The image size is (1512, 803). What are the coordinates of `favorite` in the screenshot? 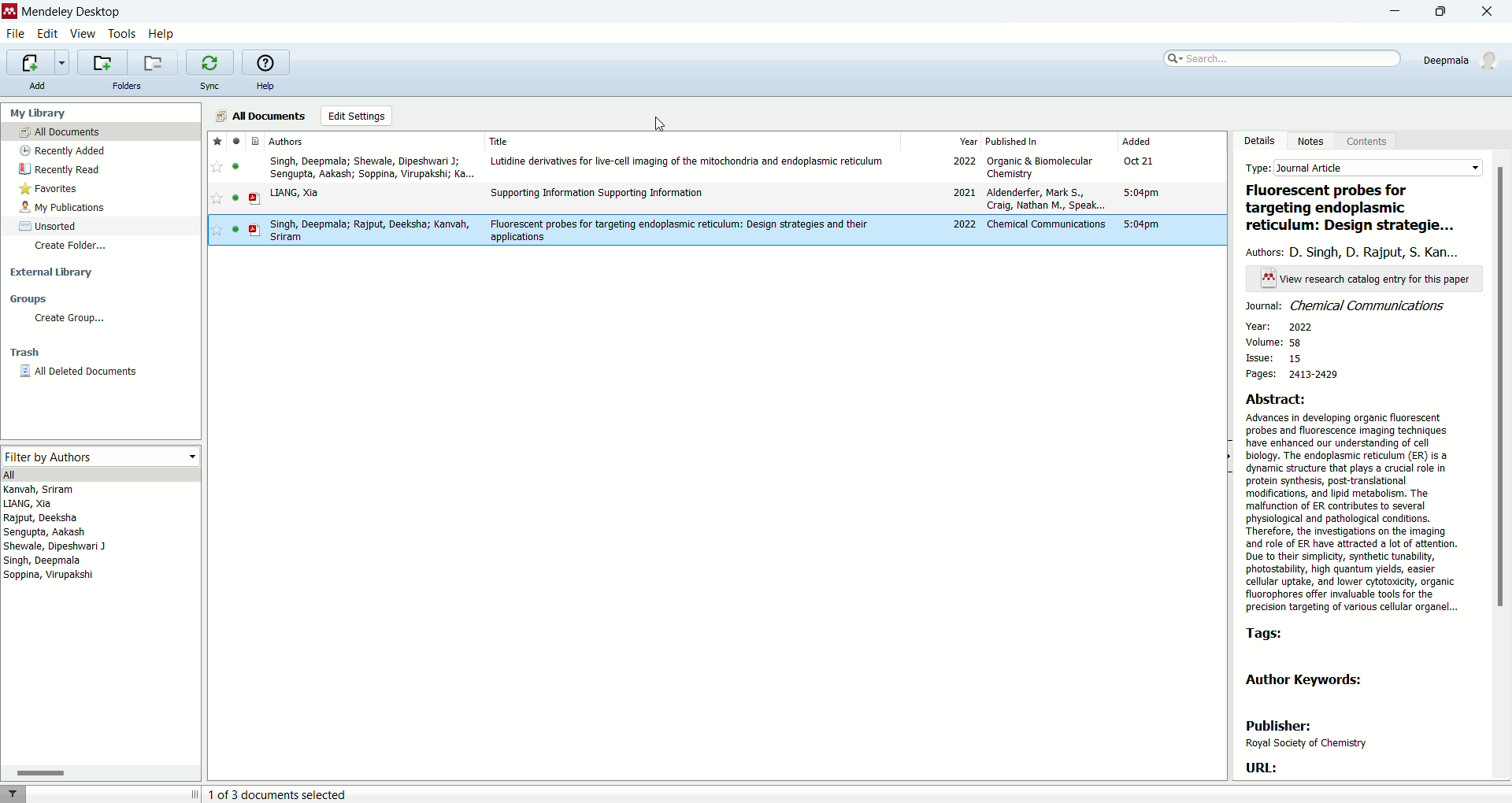 It's located at (215, 201).